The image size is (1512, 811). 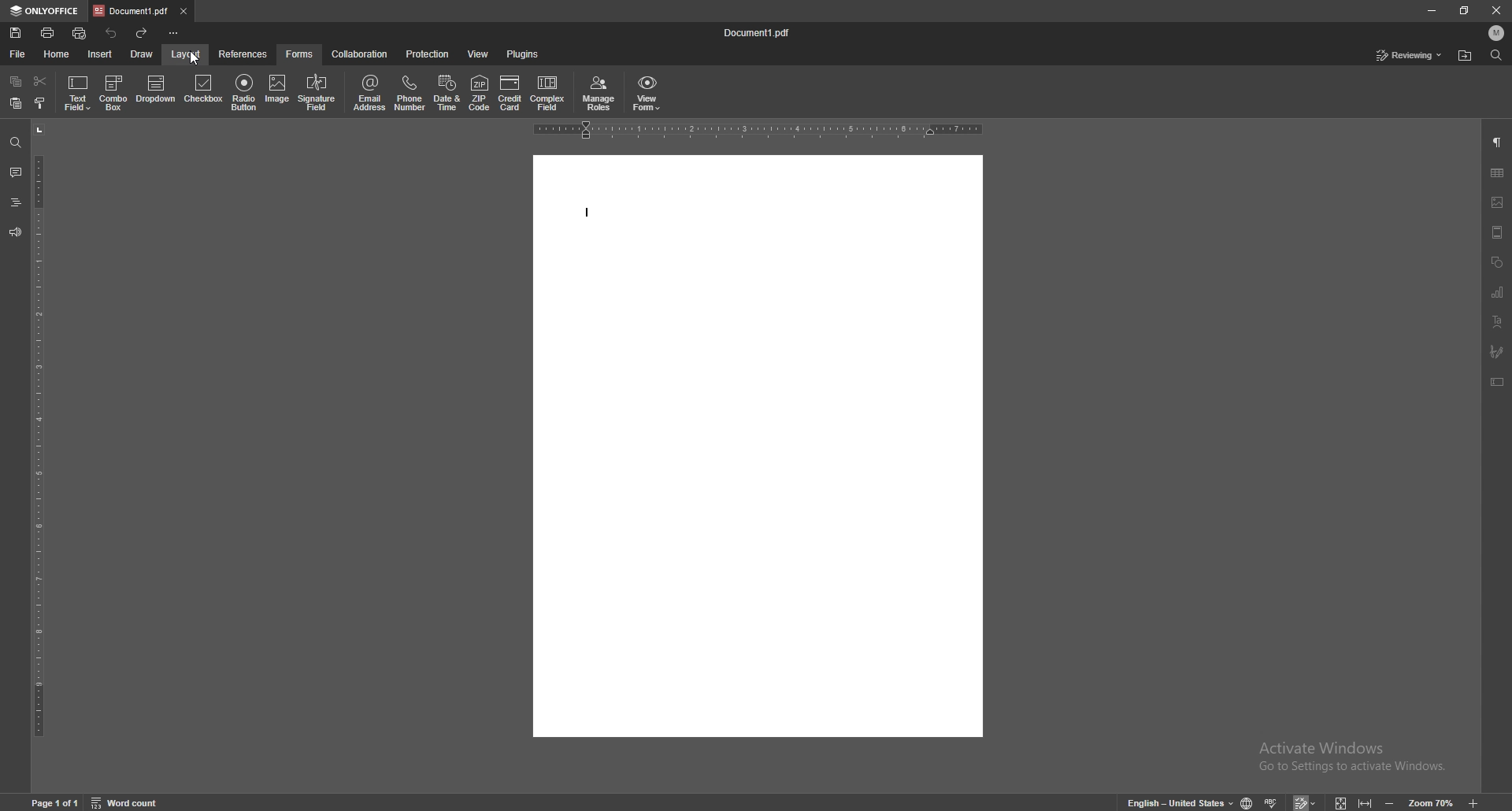 What do you see at coordinates (370, 92) in the screenshot?
I see `email address` at bounding box center [370, 92].